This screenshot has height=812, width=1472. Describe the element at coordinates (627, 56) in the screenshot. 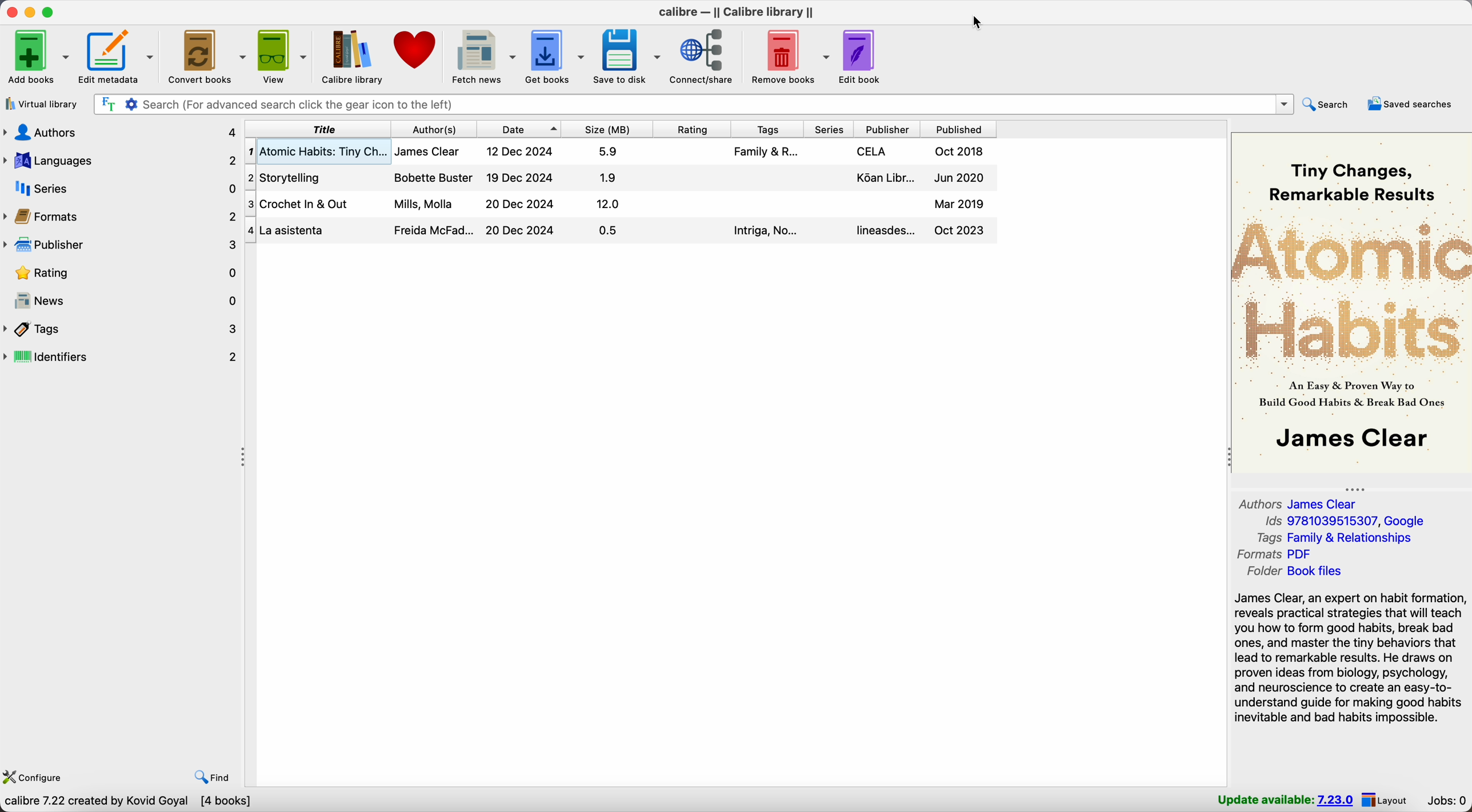

I see `save to disk` at that location.